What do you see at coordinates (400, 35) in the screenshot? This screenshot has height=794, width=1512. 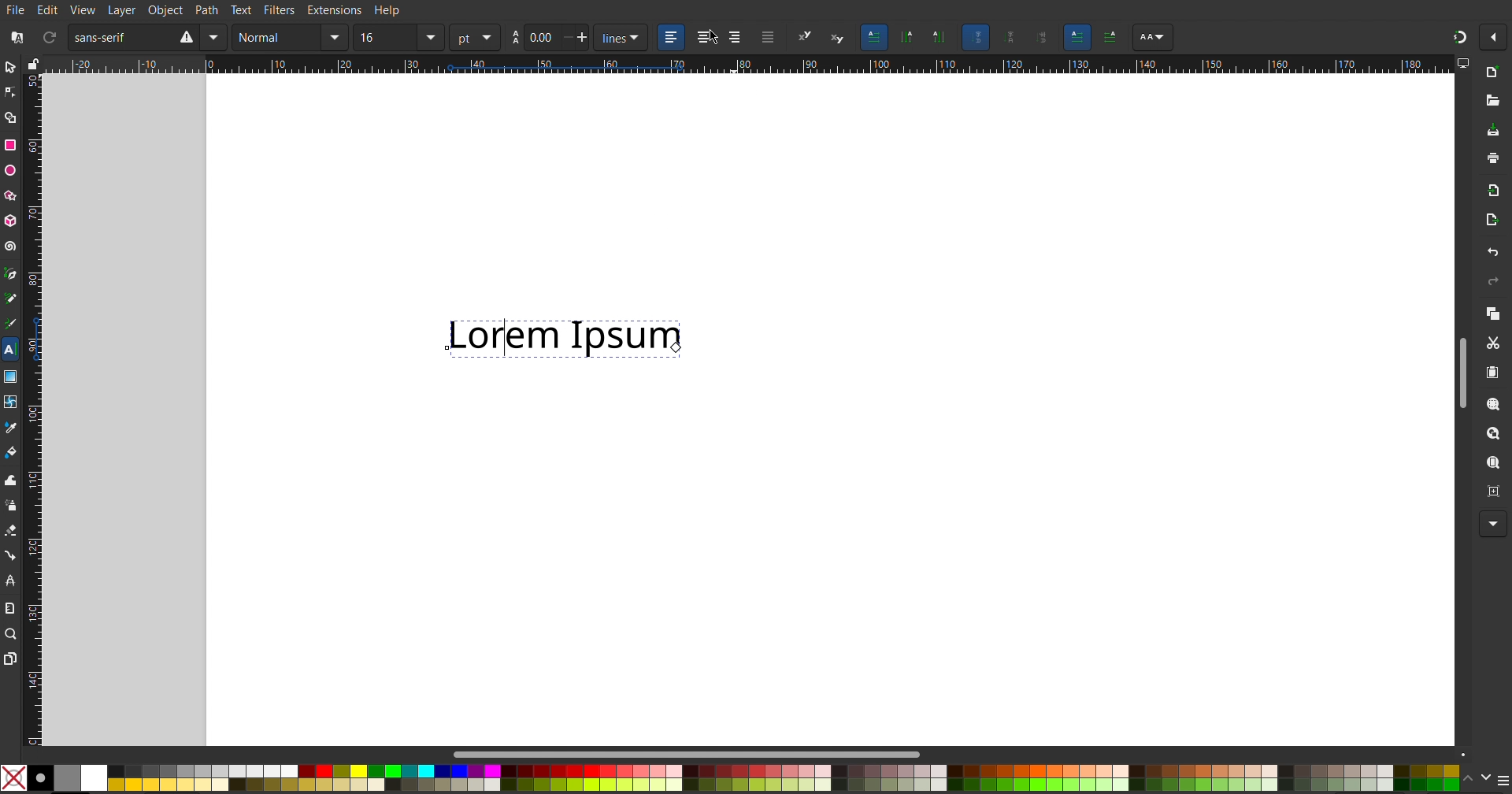 I see `Font Size` at bounding box center [400, 35].